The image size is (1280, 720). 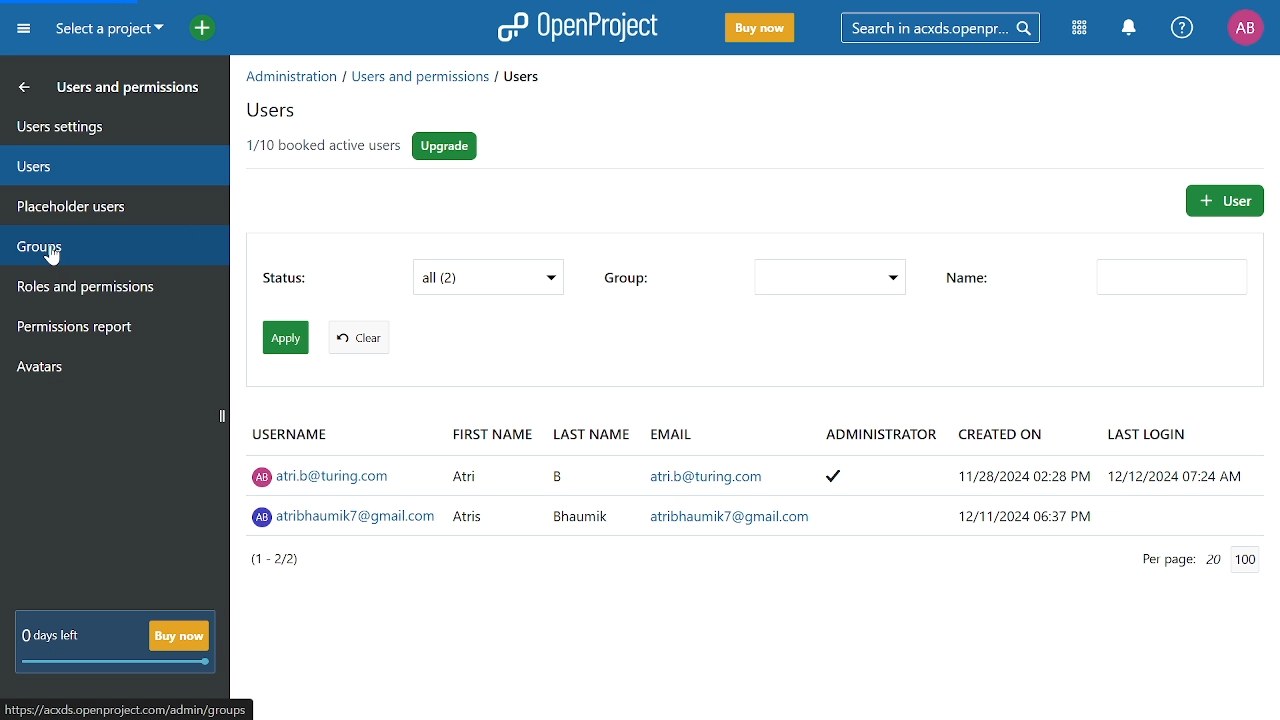 I want to click on search, so click(x=937, y=27).